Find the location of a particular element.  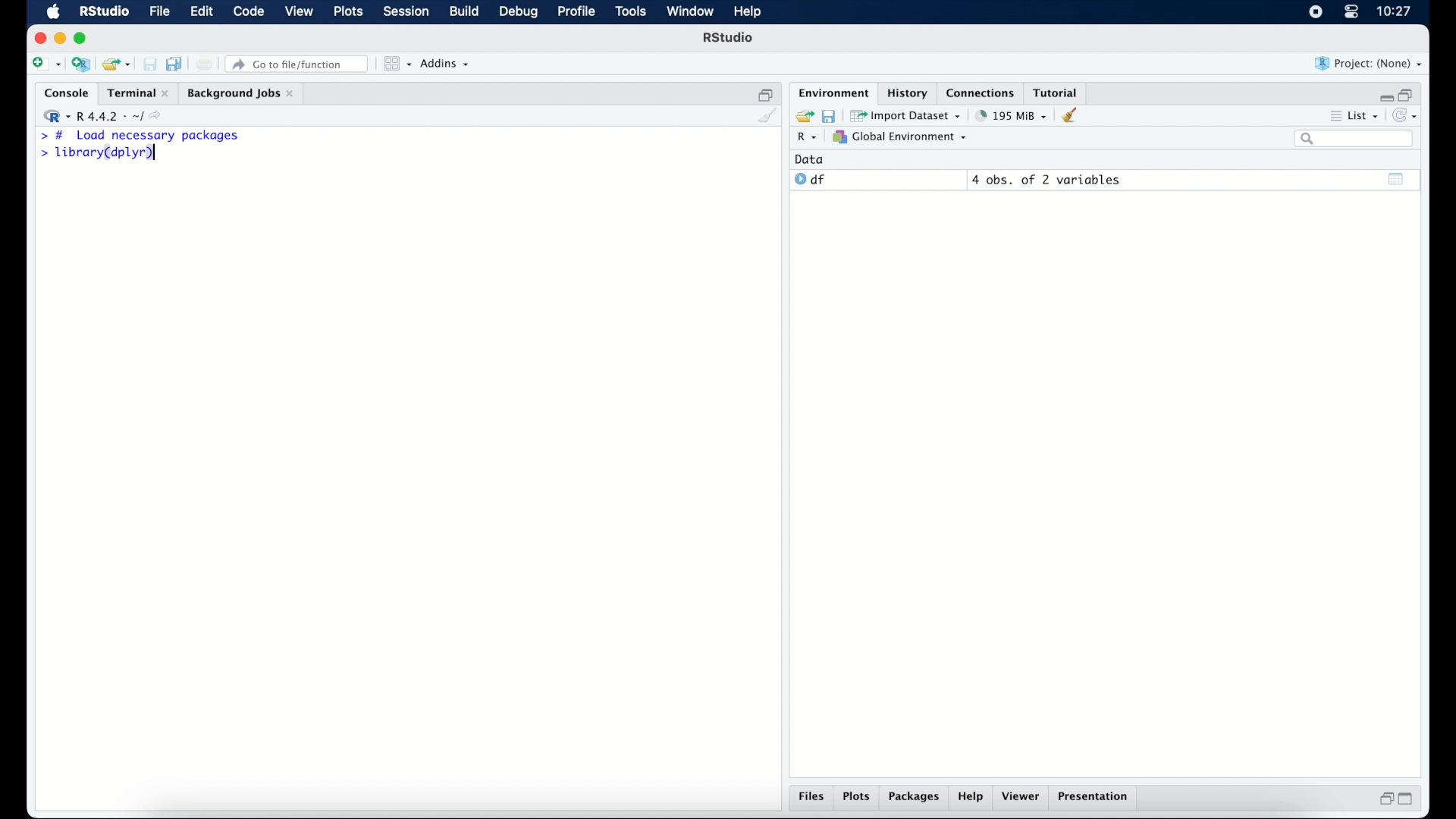

plots is located at coordinates (858, 798).